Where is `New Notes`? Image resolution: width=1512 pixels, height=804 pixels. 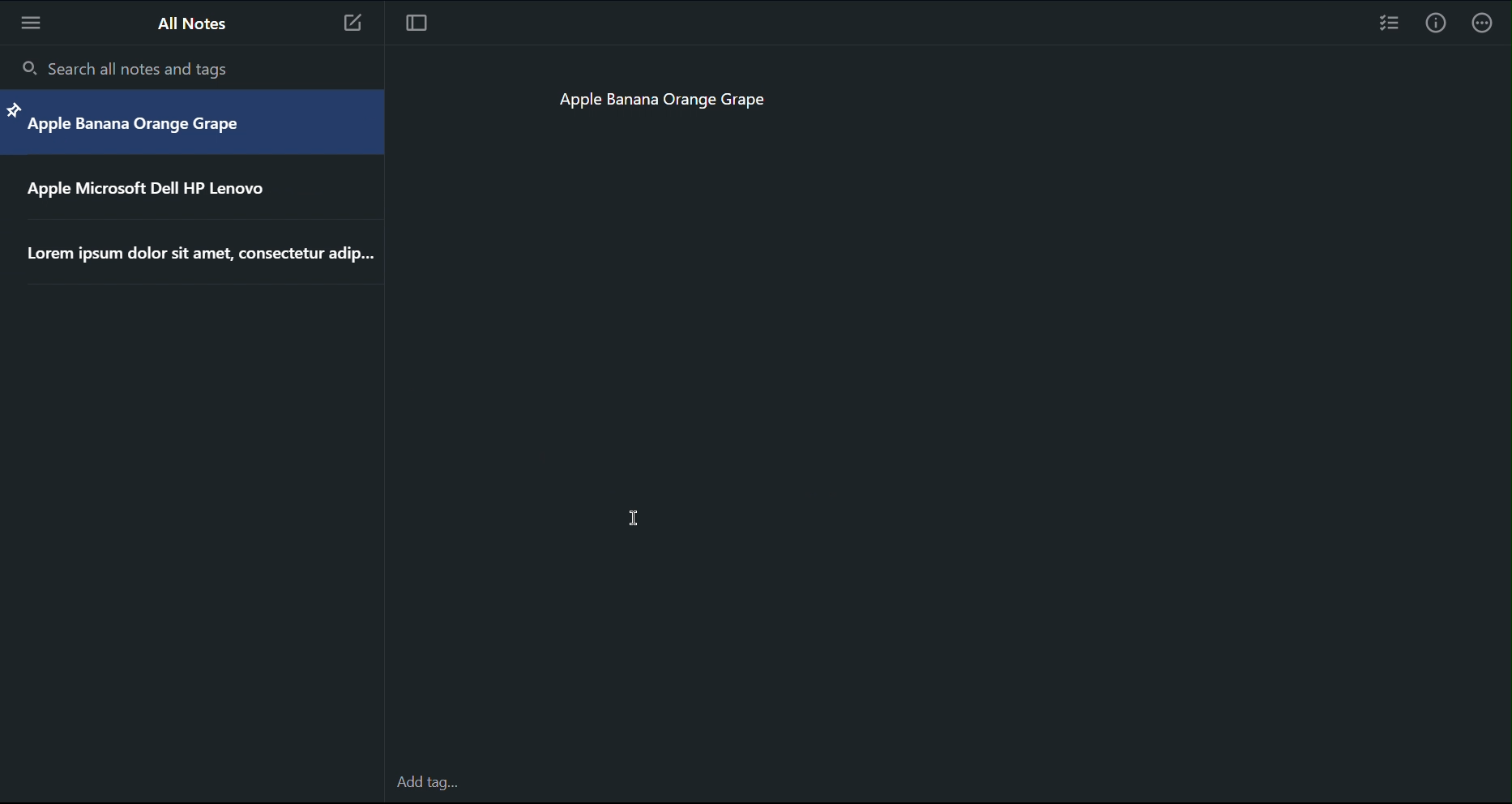
New Notes is located at coordinates (359, 24).